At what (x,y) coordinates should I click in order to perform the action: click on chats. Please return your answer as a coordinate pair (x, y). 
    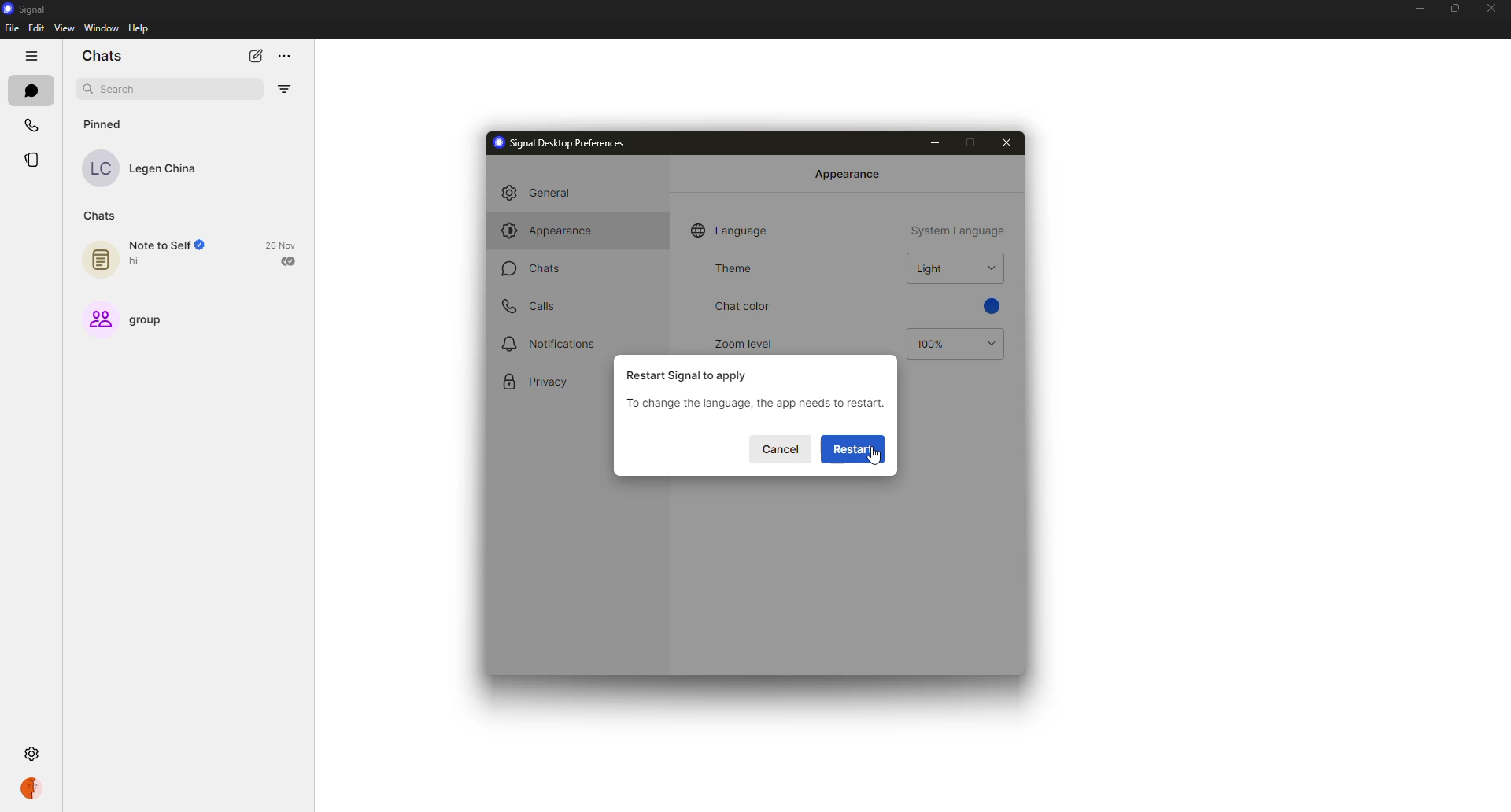
    Looking at the image, I should click on (100, 216).